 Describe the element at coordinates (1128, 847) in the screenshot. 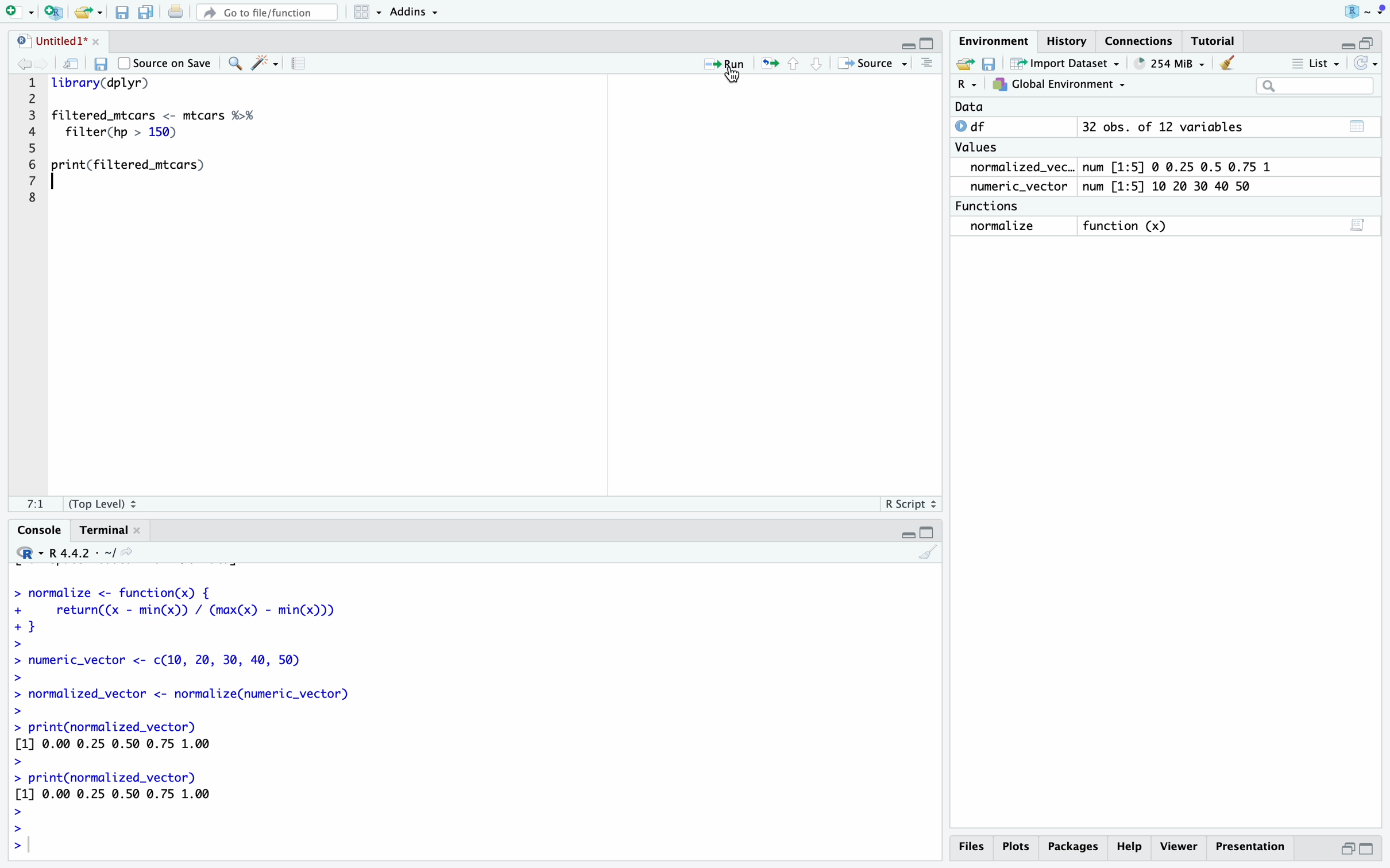

I see `Packages` at that location.